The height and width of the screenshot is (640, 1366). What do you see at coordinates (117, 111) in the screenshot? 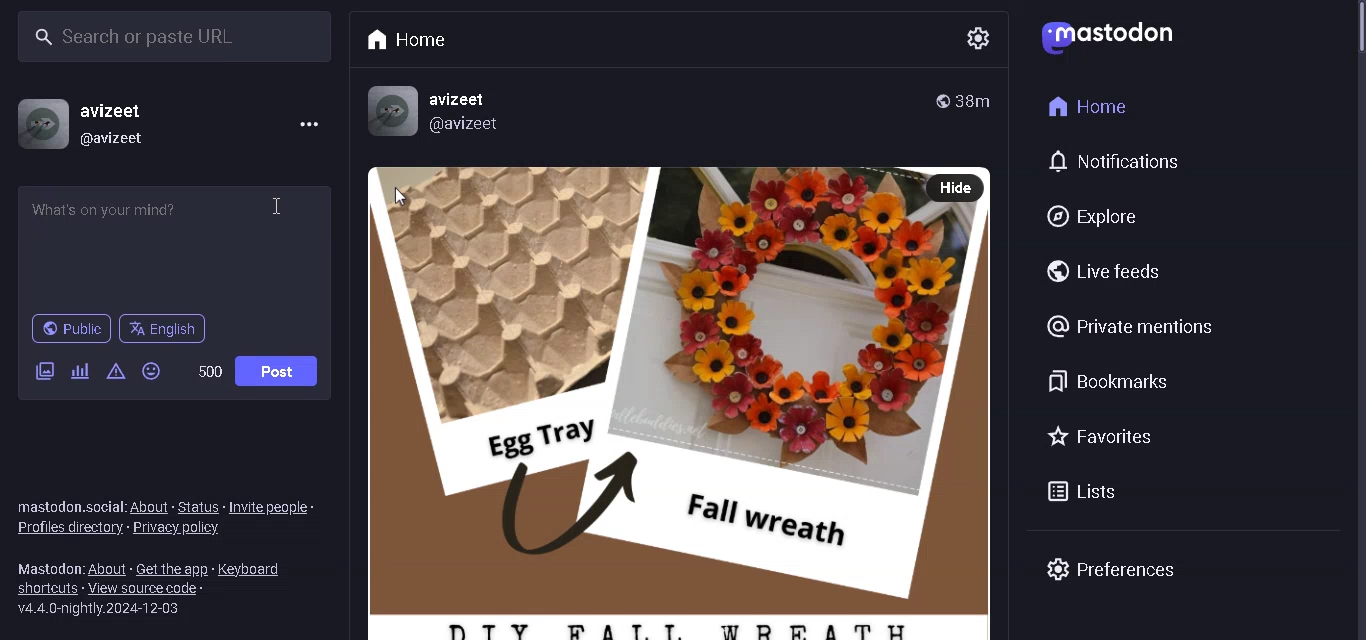
I see `username` at bounding box center [117, 111].